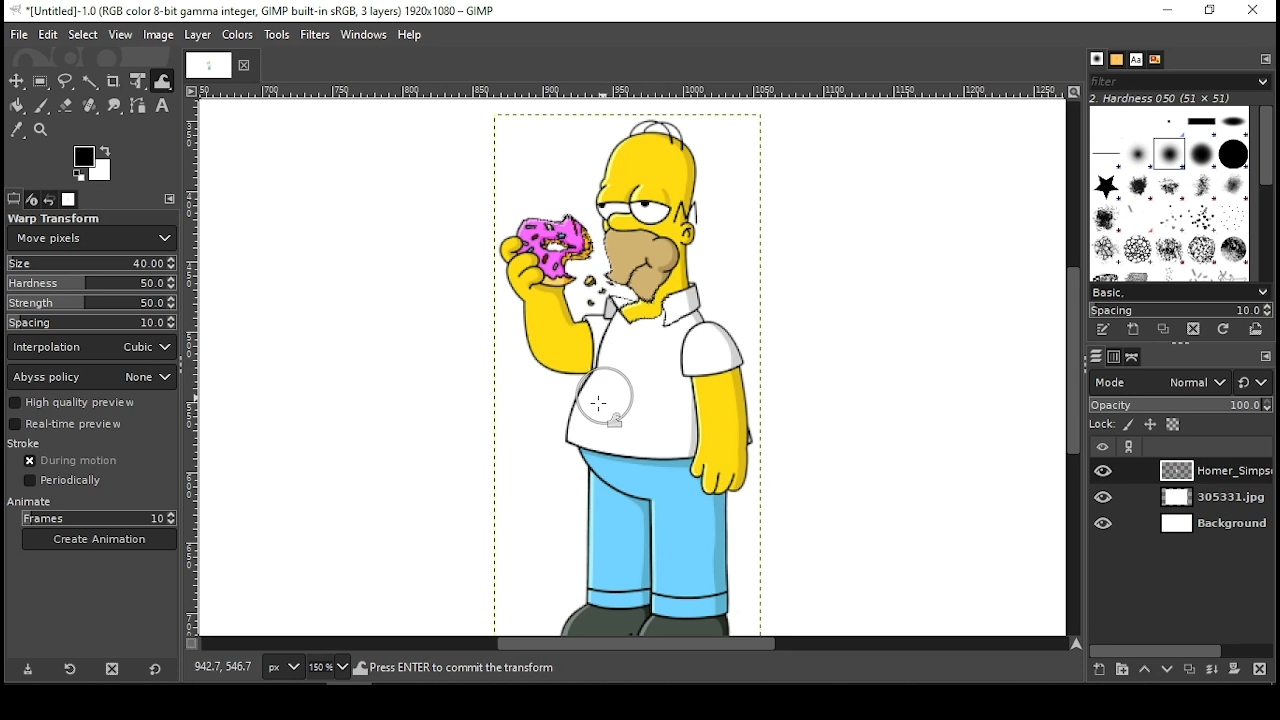 The image size is (1280, 720). I want to click on paths, so click(1132, 357).